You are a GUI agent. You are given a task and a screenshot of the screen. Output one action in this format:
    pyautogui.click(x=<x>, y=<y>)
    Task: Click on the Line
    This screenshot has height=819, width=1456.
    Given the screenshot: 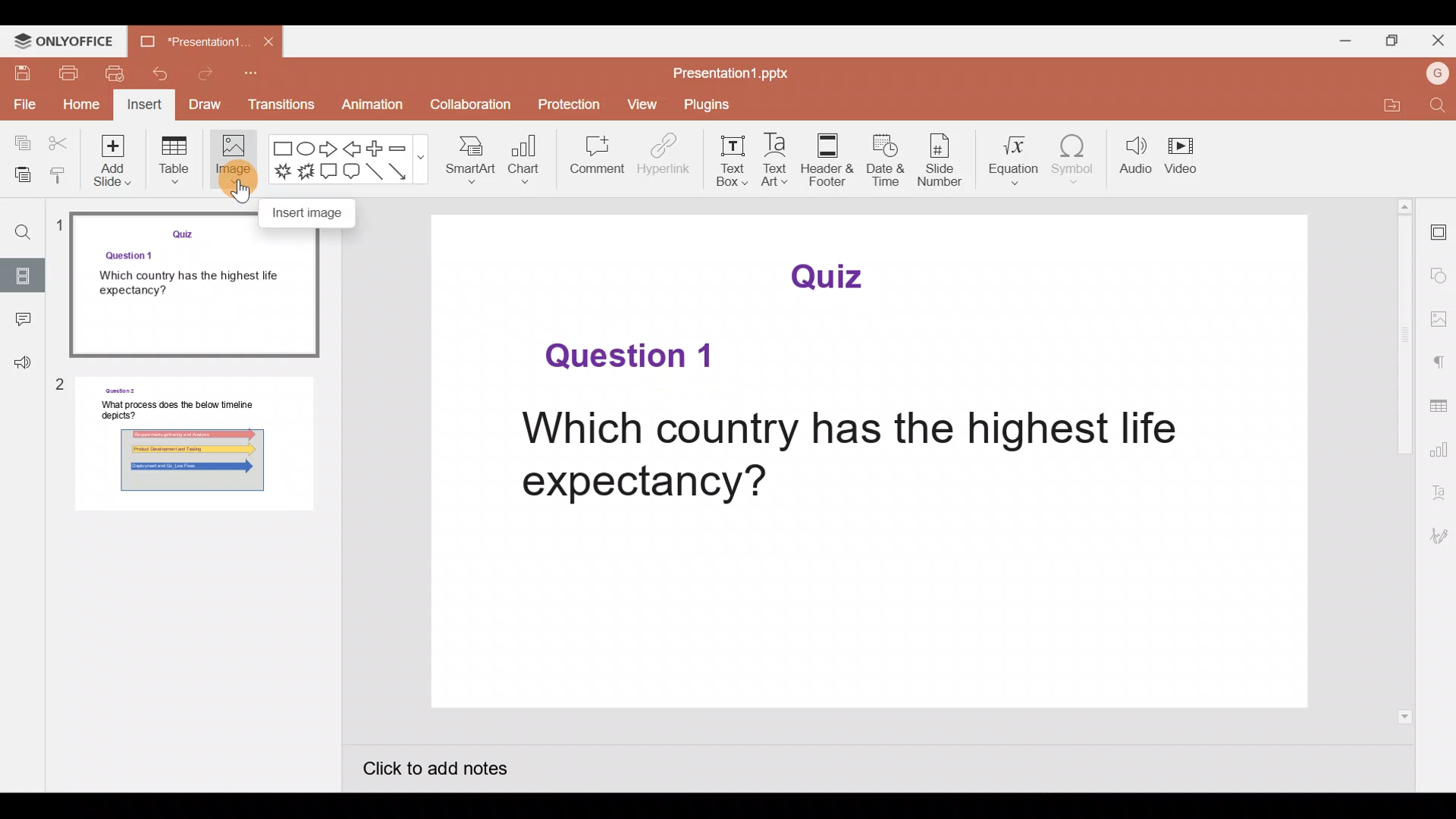 What is the action you would take?
    pyautogui.click(x=374, y=172)
    